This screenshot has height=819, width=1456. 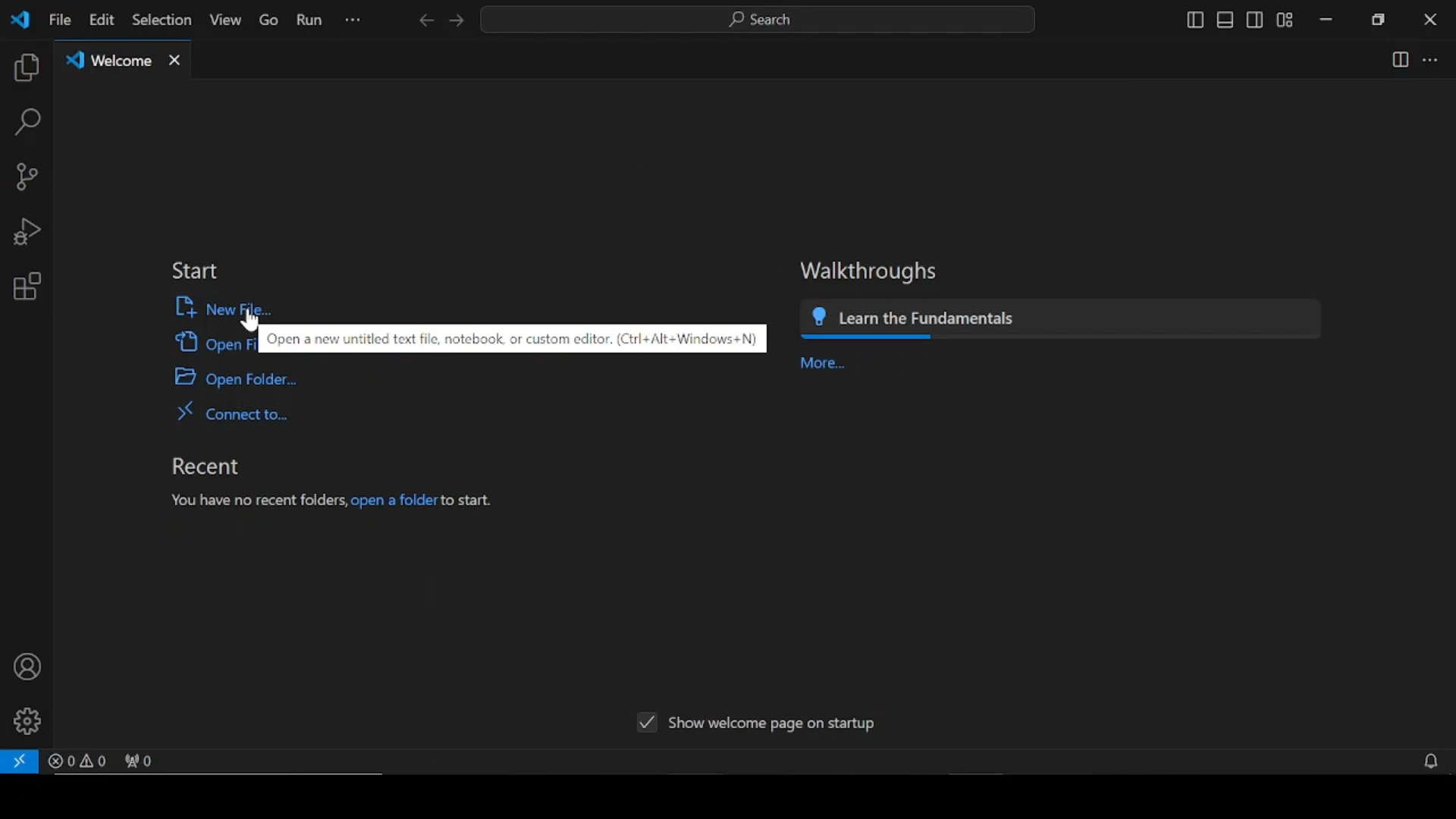 I want to click on source control, so click(x=27, y=177).